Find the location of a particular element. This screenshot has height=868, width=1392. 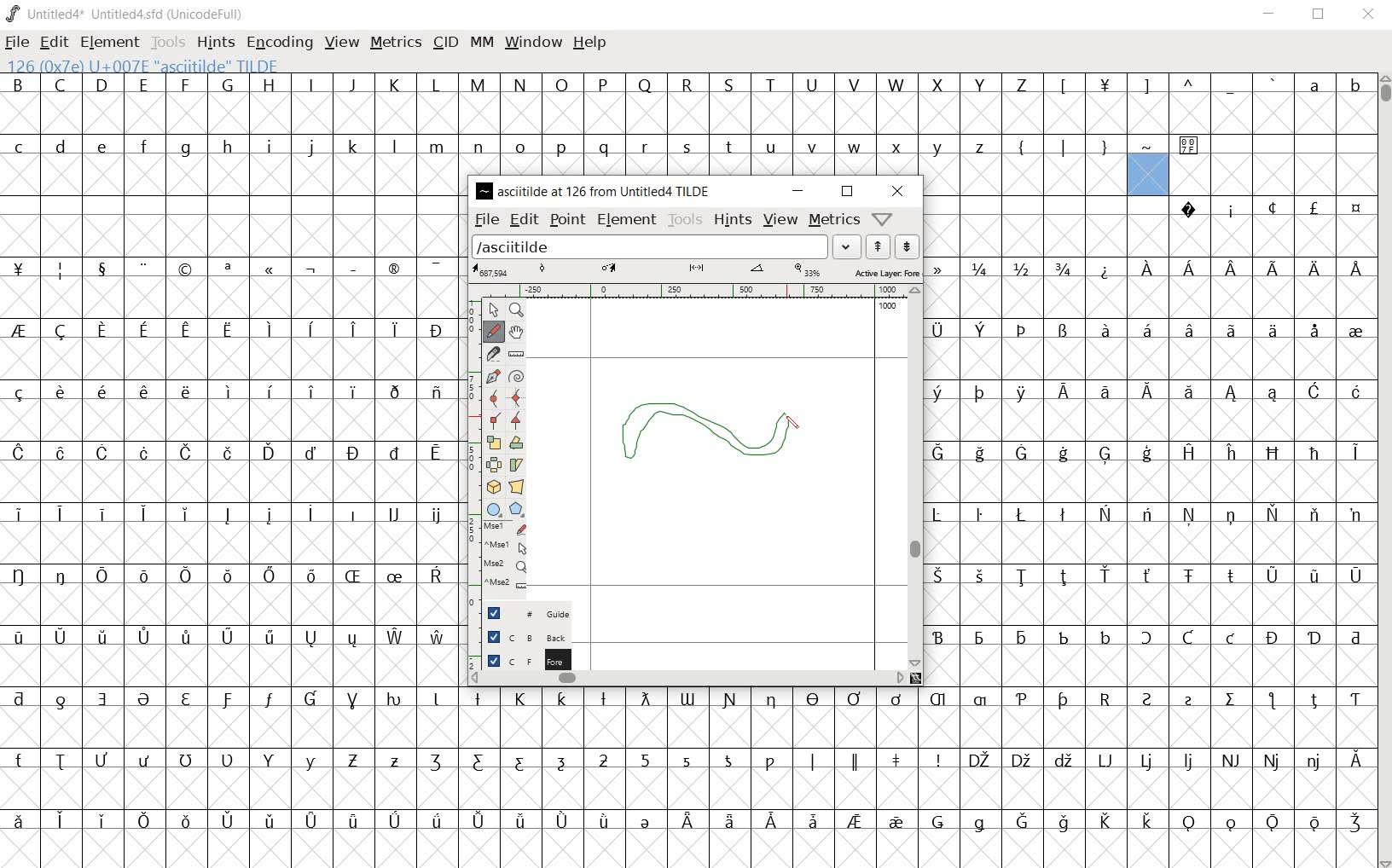

show the next word on the list is located at coordinates (878, 246).